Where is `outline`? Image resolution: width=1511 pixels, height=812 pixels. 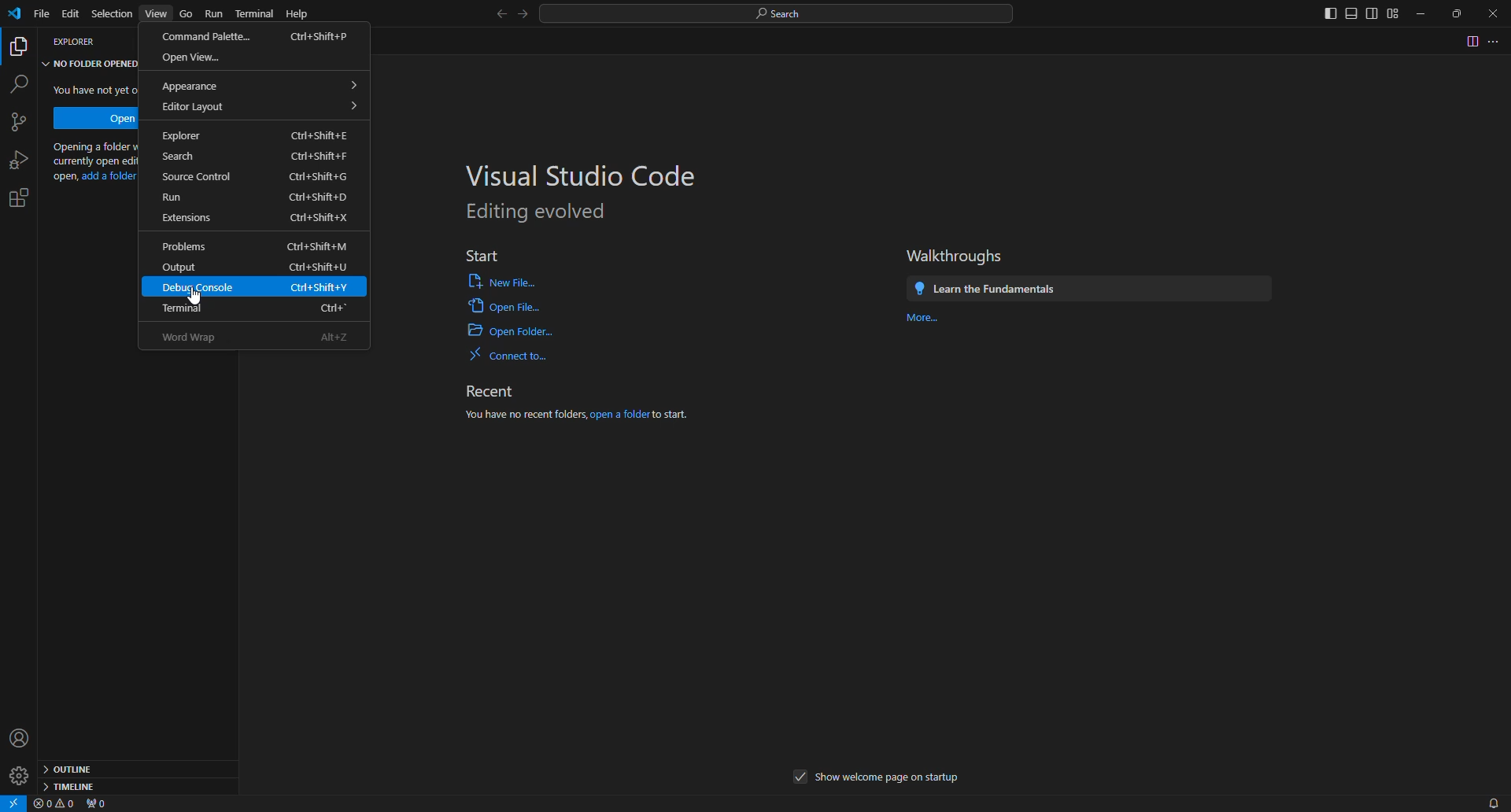 outline is located at coordinates (71, 769).